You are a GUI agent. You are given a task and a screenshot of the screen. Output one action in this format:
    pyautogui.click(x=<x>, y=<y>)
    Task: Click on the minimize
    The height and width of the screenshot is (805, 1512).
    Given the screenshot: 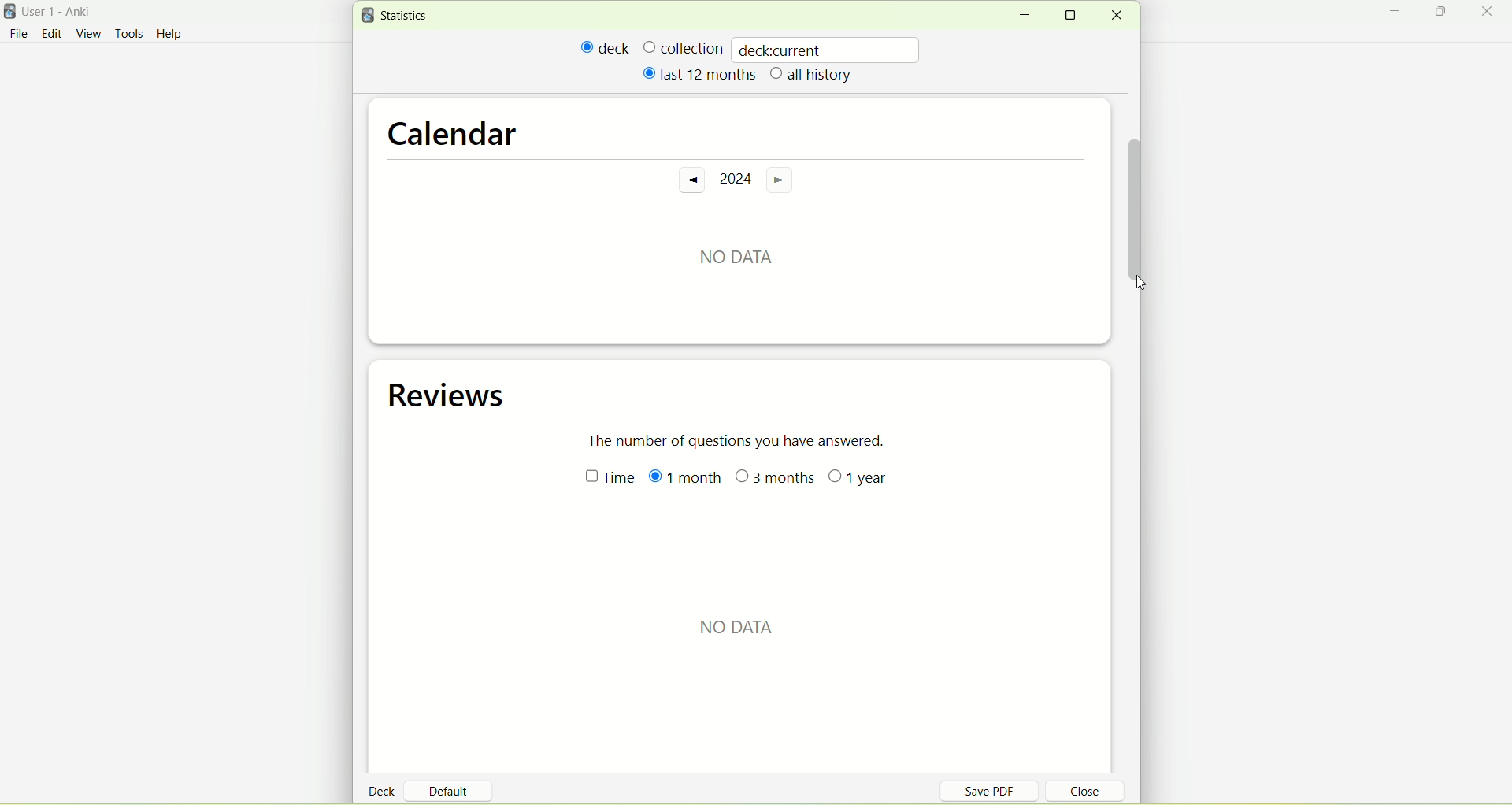 What is the action you would take?
    pyautogui.click(x=1399, y=13)
    